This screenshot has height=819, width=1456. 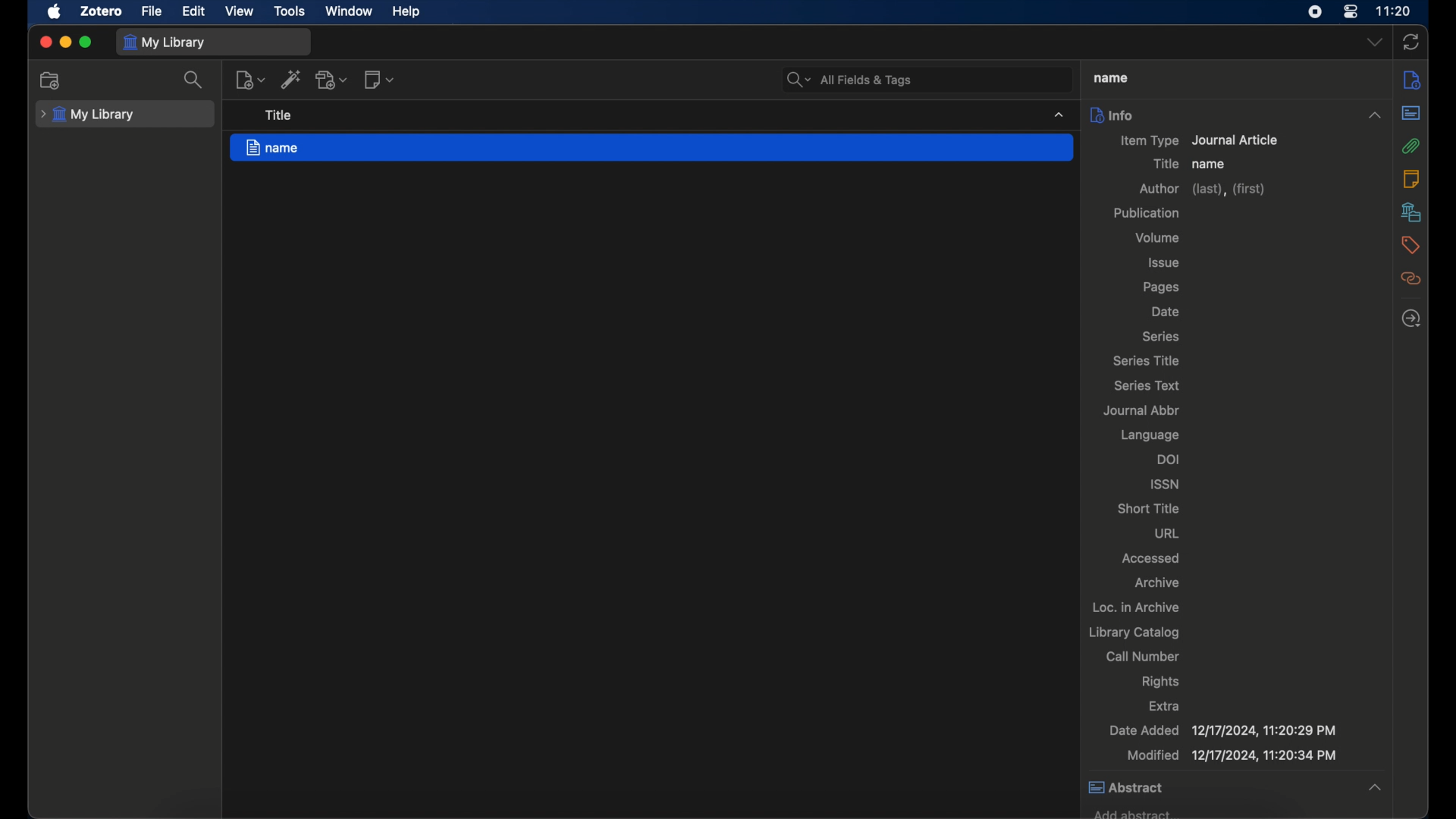 What do you see at coordinates (1156, 582) in the screenshot?
I see `archive` at bounding box center [1156, 582].